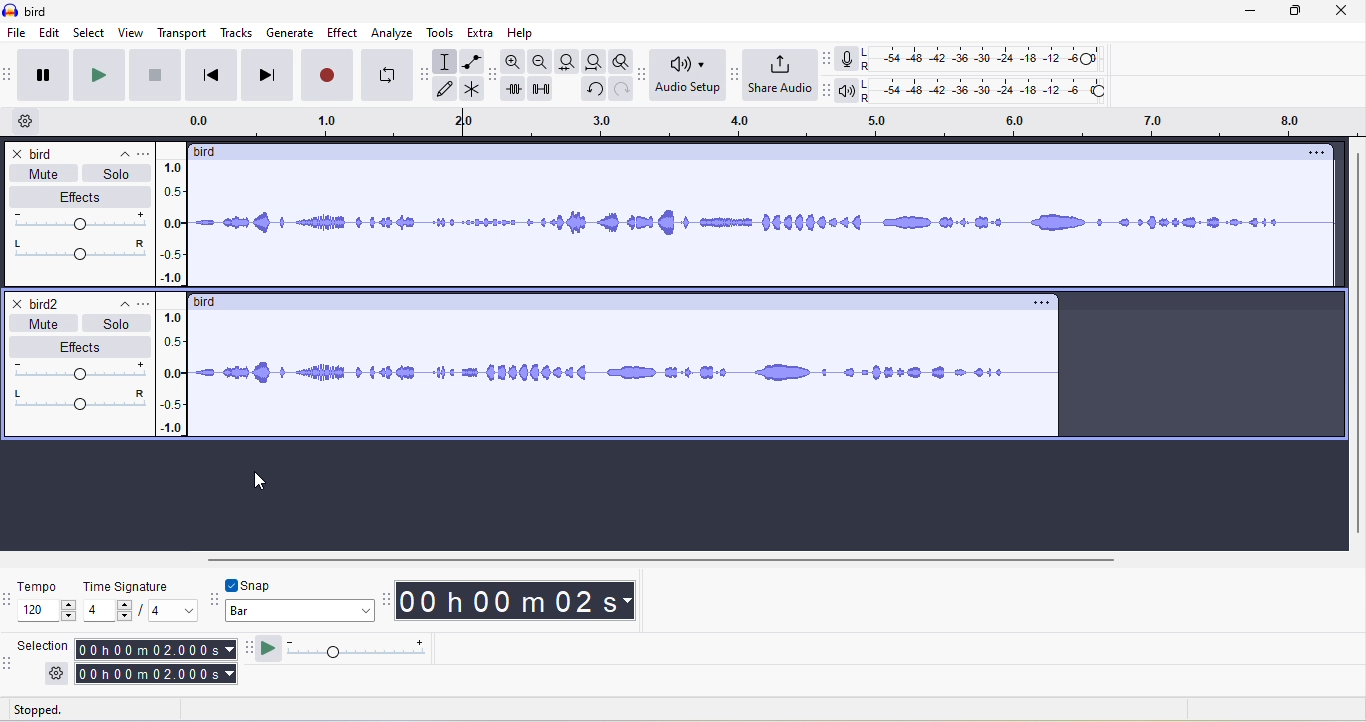 The height and width of the screenshot is (722, 1366). What do you see at coordinates (213, 74) in the screenshot?
I see `skip to start` at bounding box center [213, 74].